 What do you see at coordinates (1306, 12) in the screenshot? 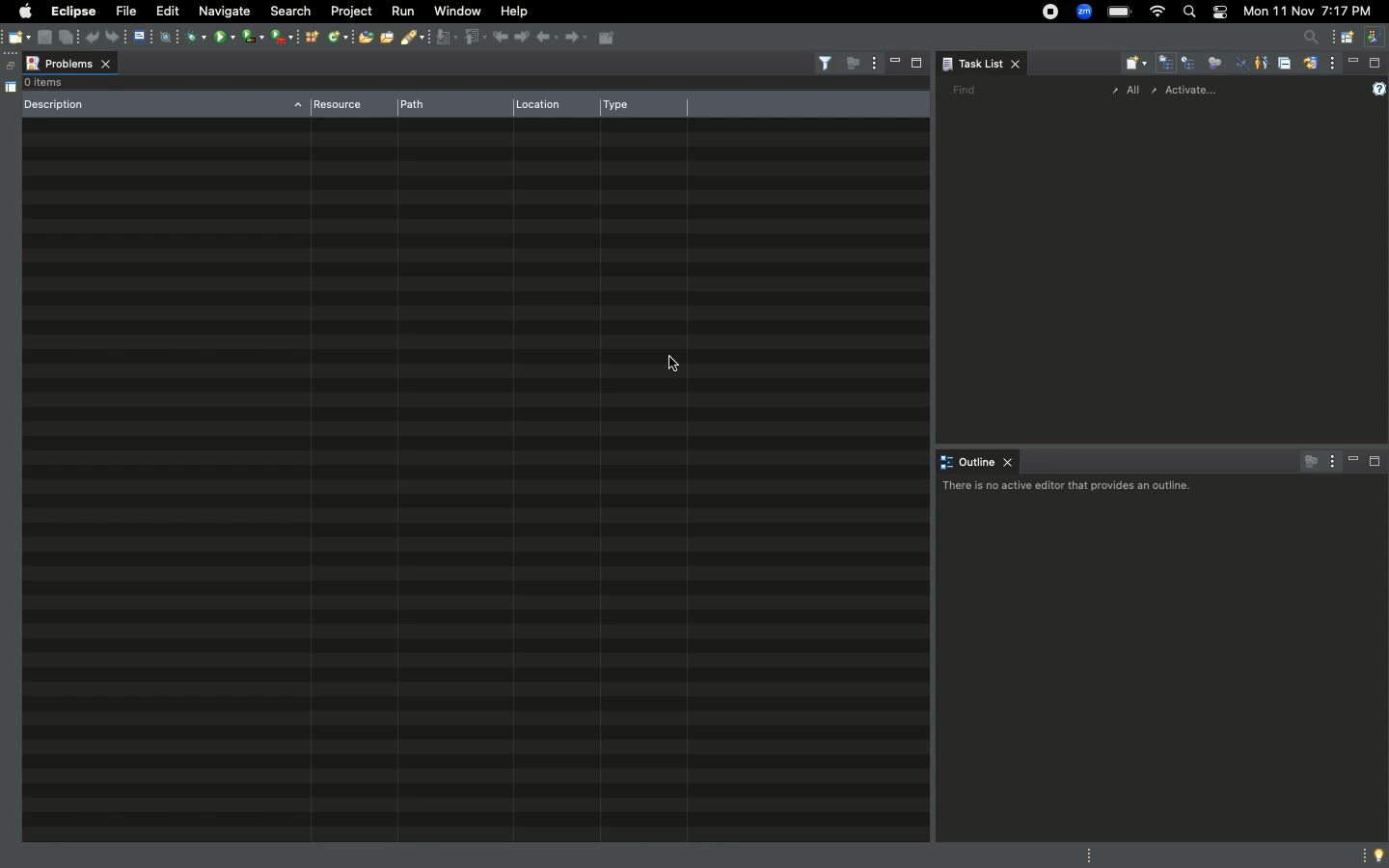
I see `Date/time` at bounding box center [1306, 12].